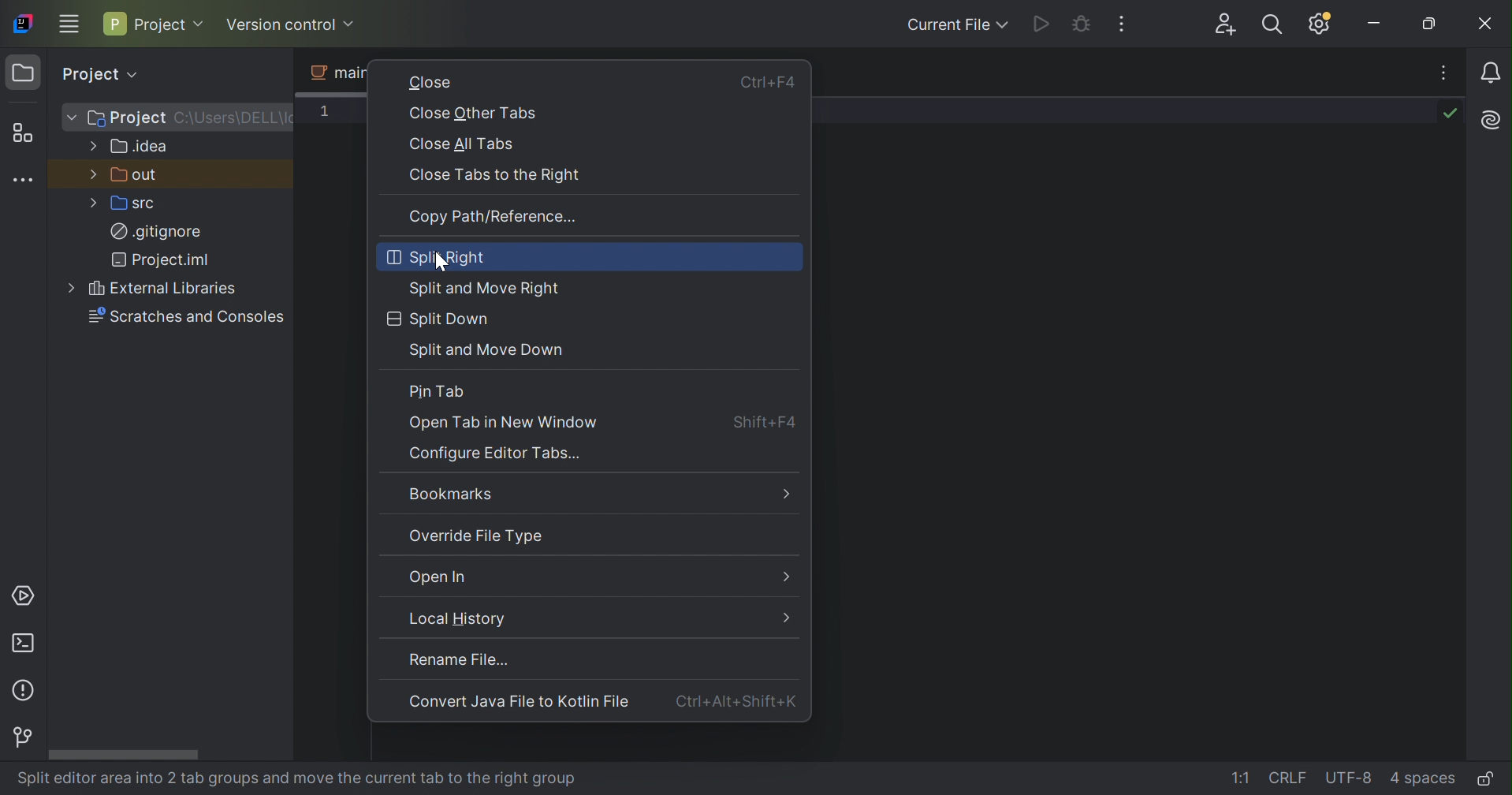 This screenshot has height=795, width=1512. I want to click on Close, so click(434, 82).